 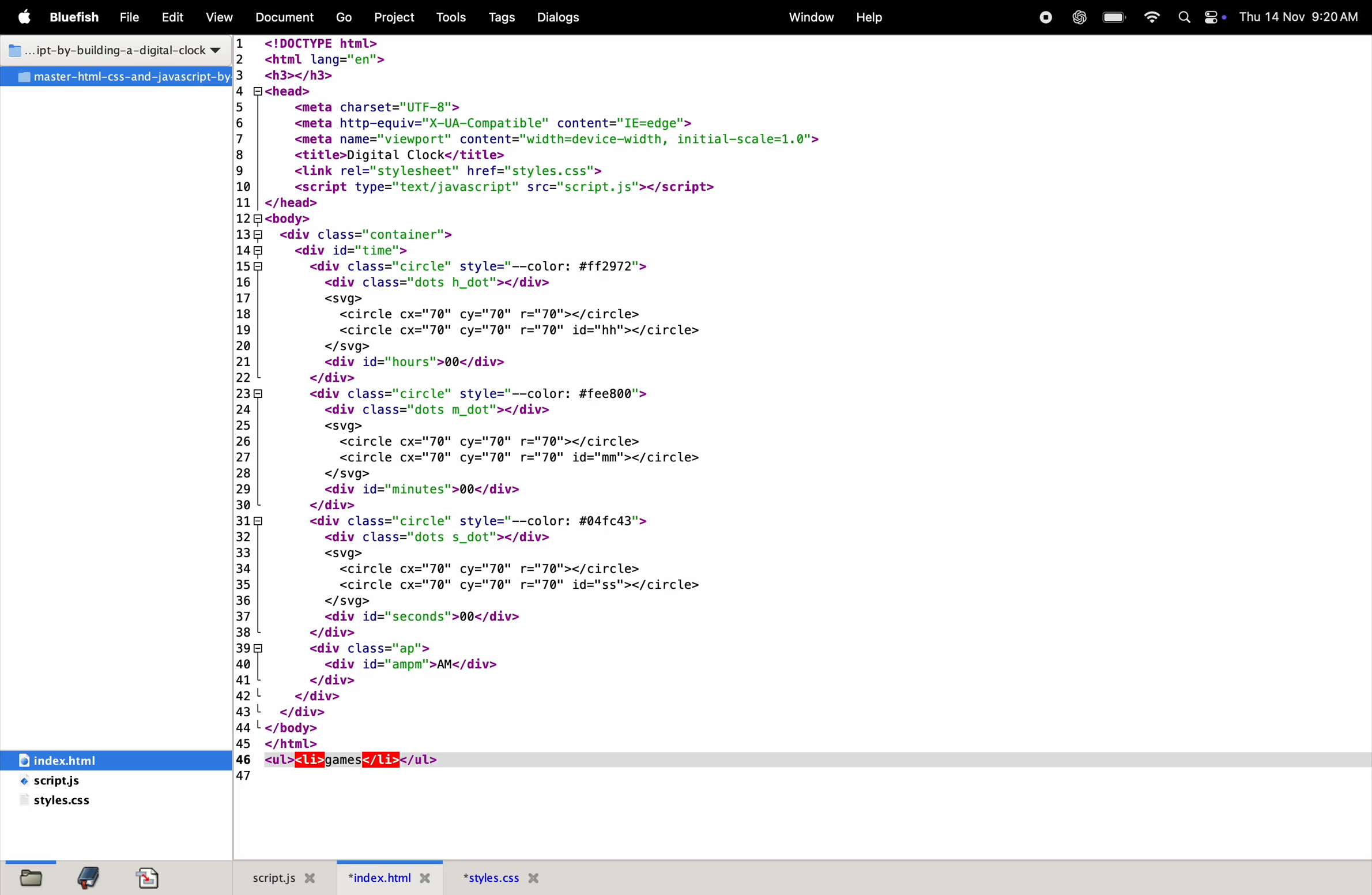 I want to click on script.js, so click(x=281, y=877).